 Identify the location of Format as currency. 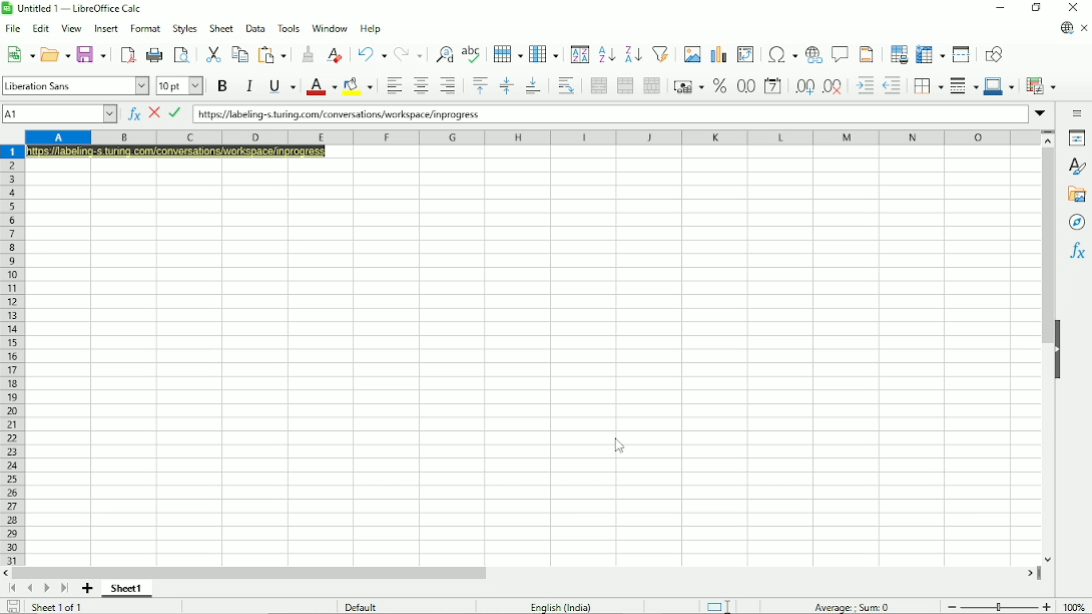
(688, 86).